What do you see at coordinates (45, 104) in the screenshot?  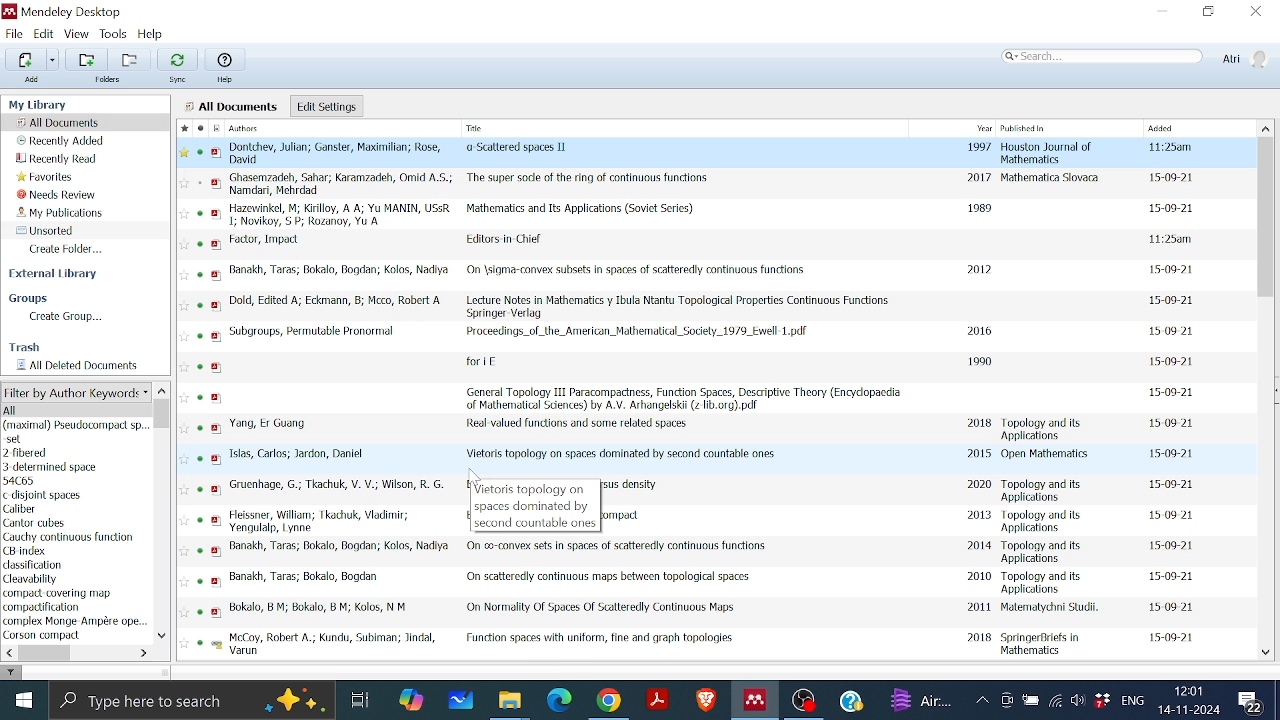 I see `My library` at bounding box center [45, 104].